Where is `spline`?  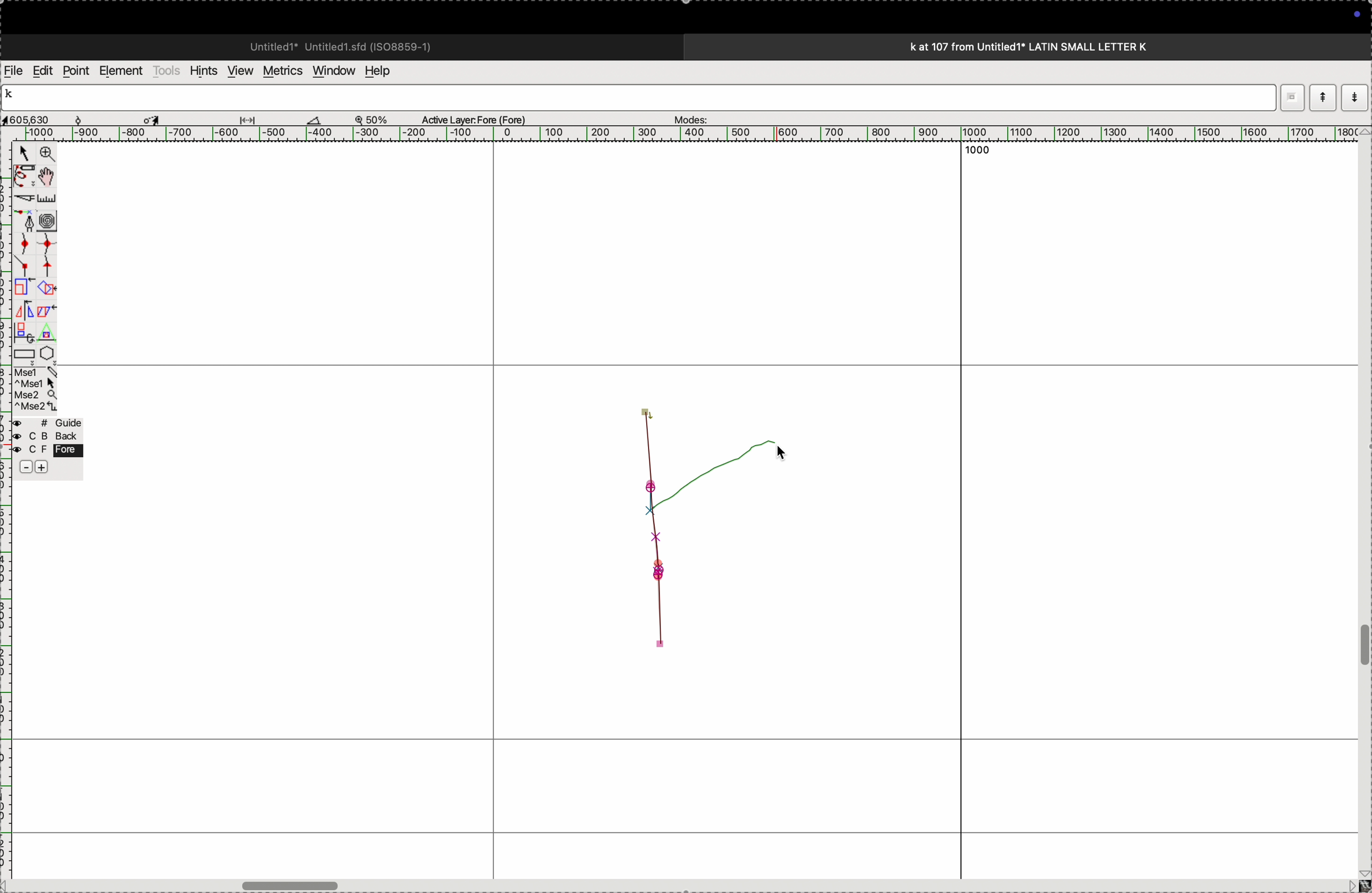 spline is located at coordinates (35, 253).